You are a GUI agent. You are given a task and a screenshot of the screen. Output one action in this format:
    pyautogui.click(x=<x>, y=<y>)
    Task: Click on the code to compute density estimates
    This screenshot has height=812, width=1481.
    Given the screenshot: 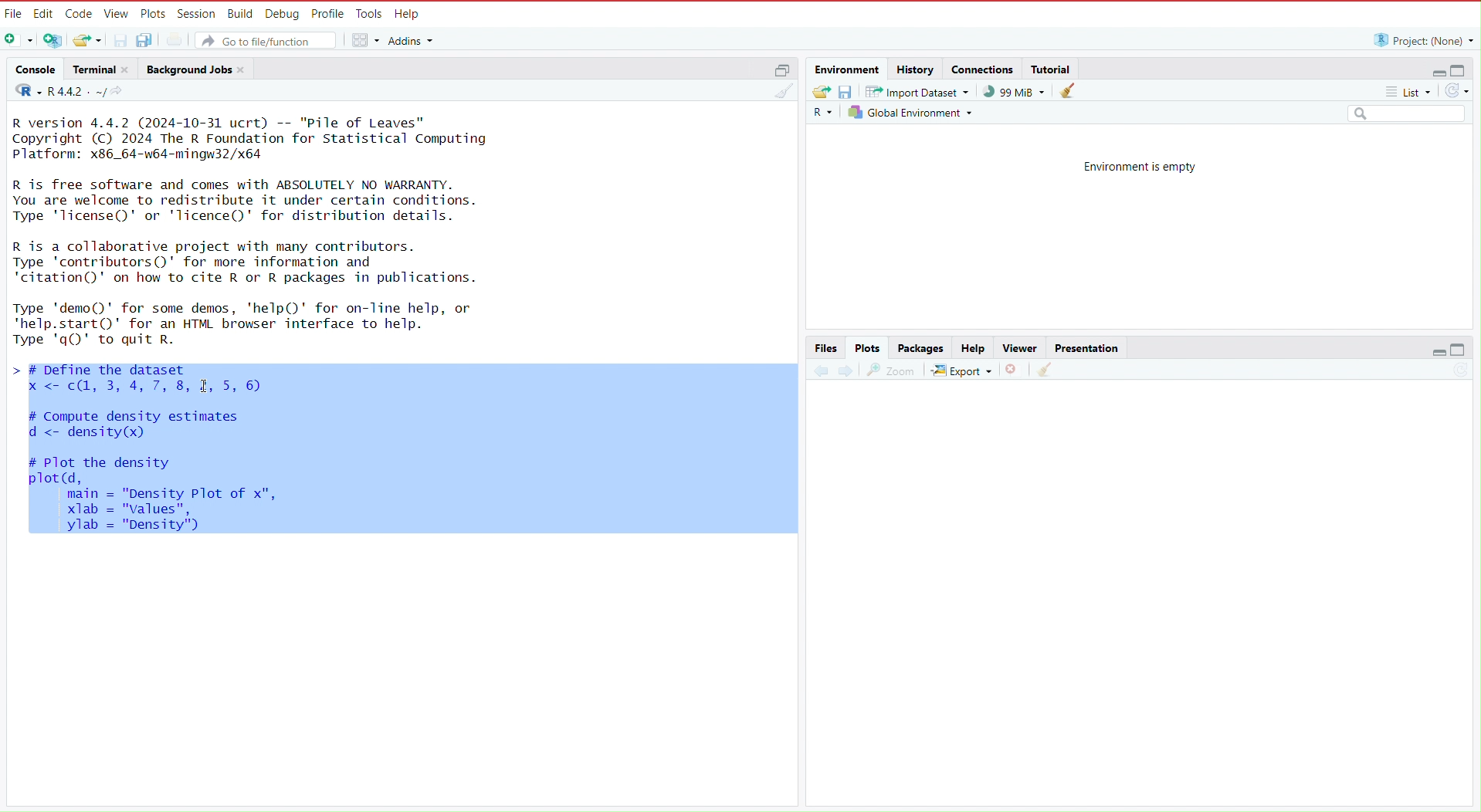 What is the action you would take?
    pyautogui.click(x=174, y=428)
    